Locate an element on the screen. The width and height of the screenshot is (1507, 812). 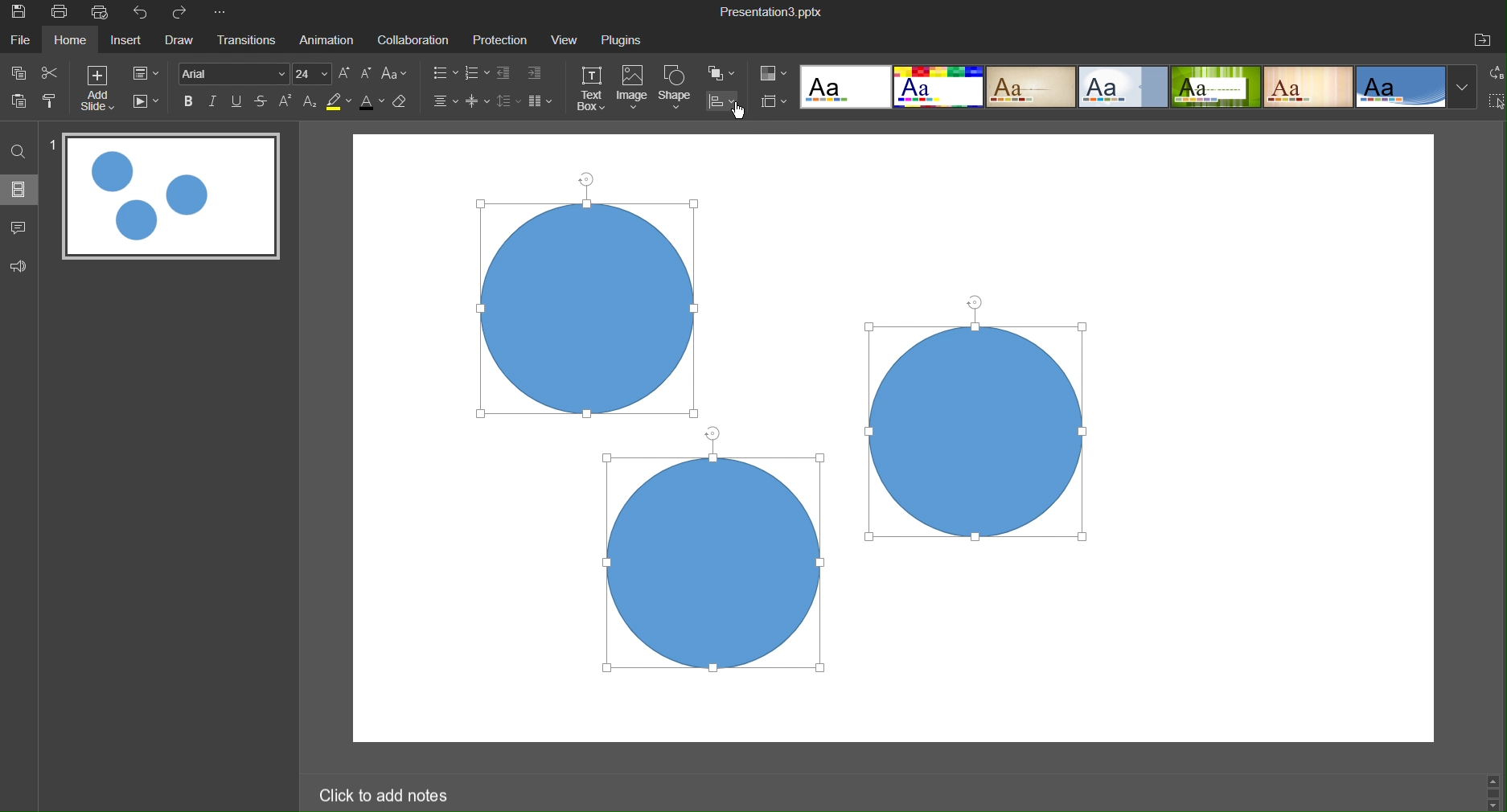
Shape is located at coordinates (678, 89).